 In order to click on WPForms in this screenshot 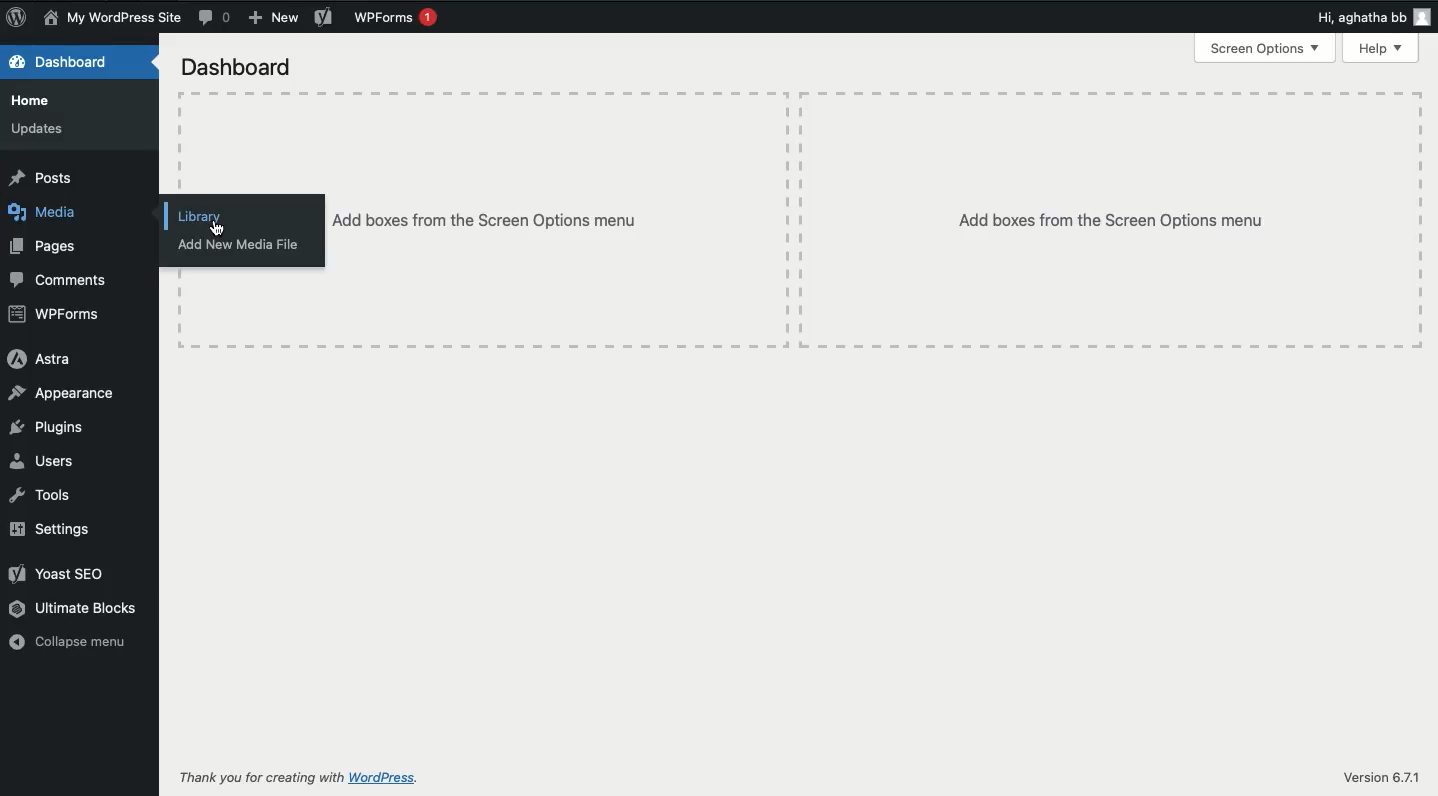, I will do `click(397, 17)`.